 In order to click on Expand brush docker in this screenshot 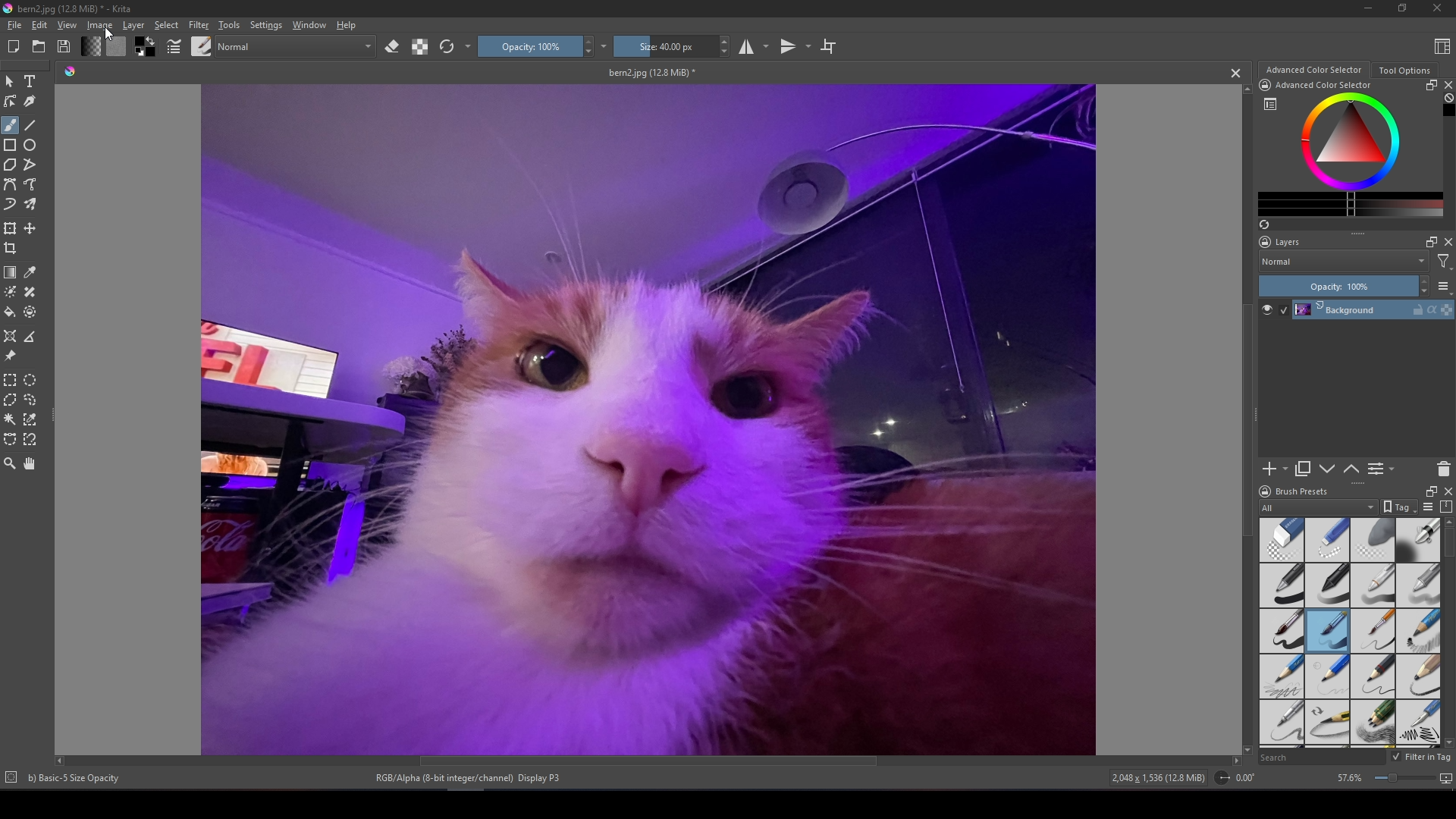, I will do `click(1429, 491)`.